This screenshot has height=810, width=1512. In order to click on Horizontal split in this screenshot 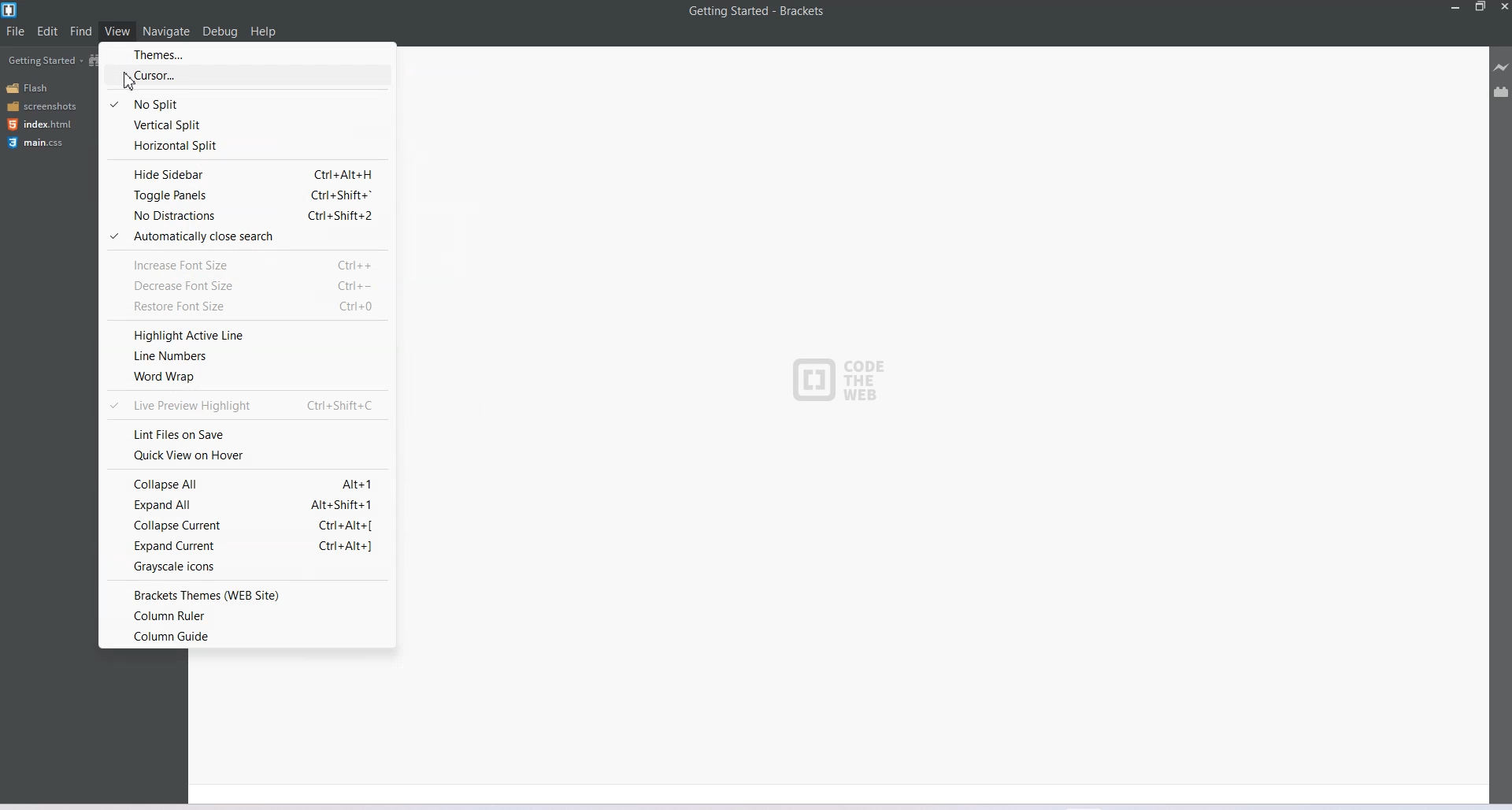, I will do `click(244, 147)`.